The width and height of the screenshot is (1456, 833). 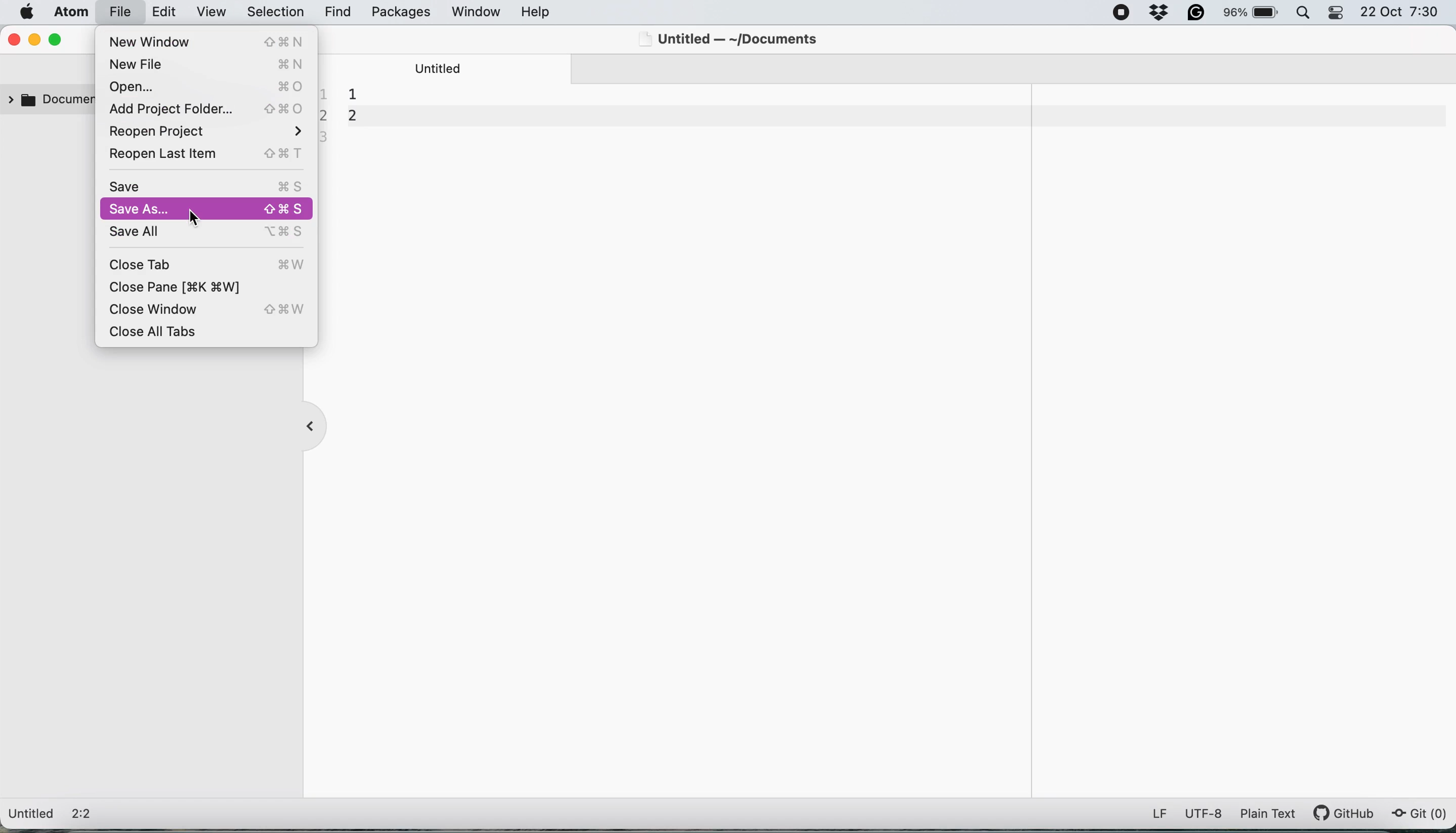 I want to click on minimise, so click(x=32, y=40).